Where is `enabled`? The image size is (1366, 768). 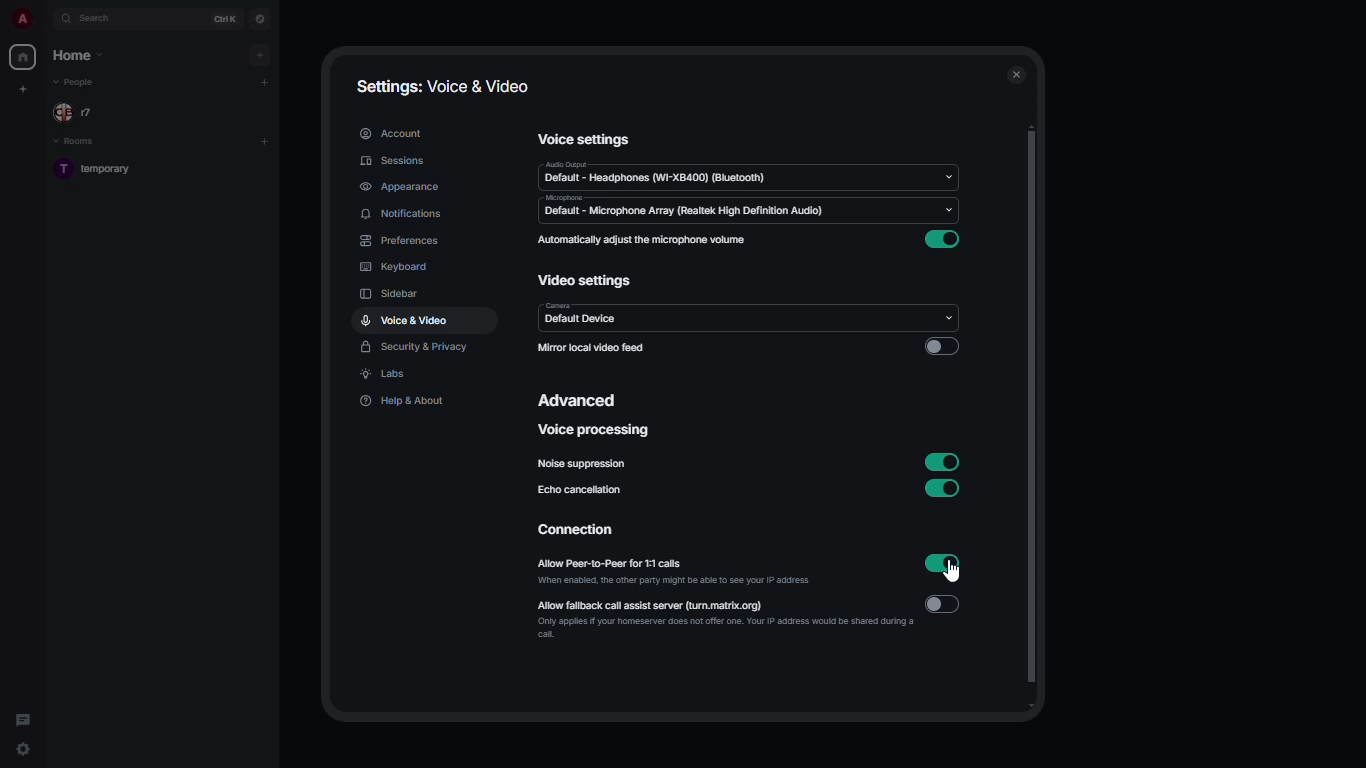 enabled is located at coordinates (944, 488).